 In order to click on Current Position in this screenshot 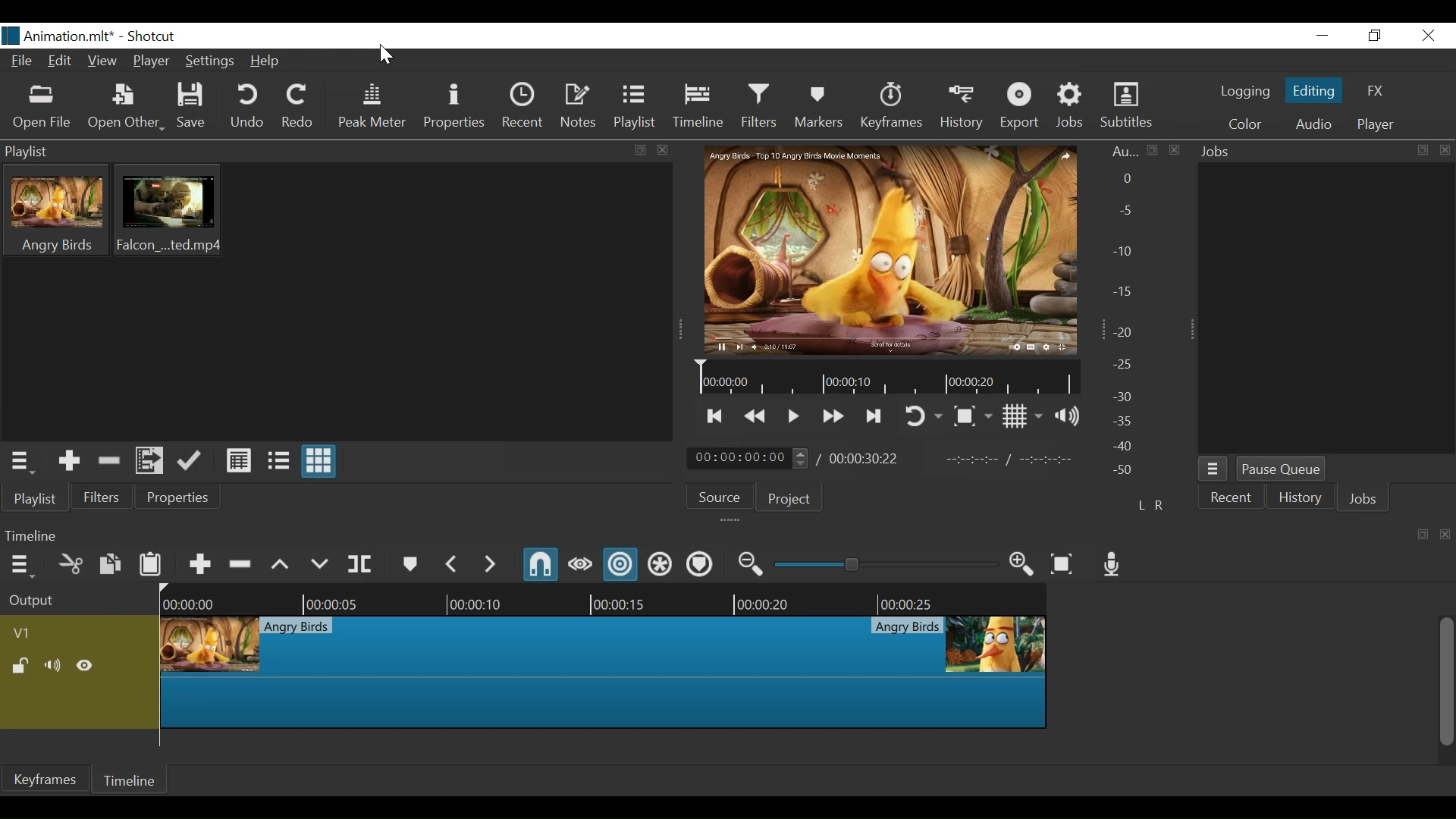, I will do `click(748, 459)`.